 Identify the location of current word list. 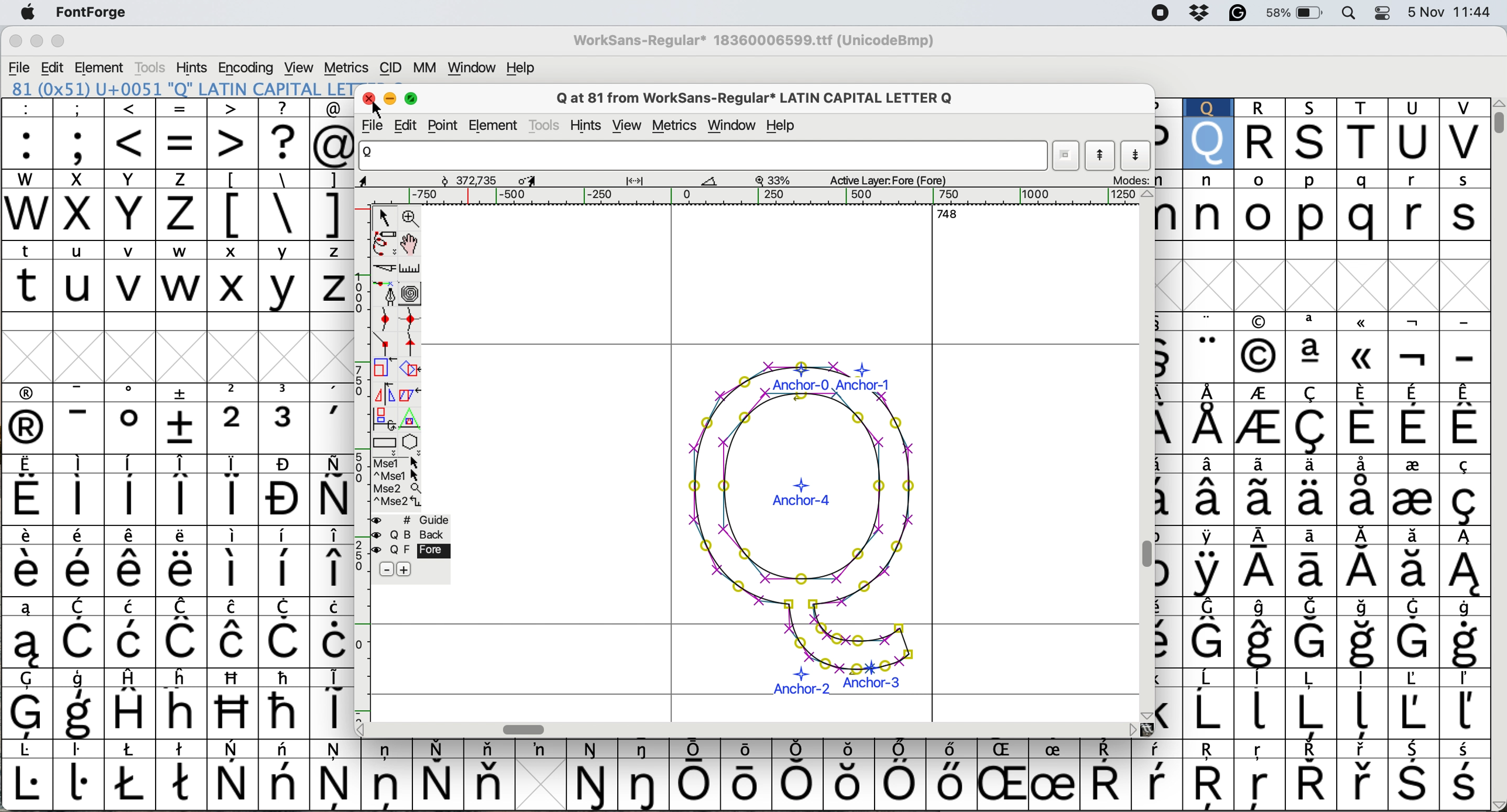
(1066, 156).